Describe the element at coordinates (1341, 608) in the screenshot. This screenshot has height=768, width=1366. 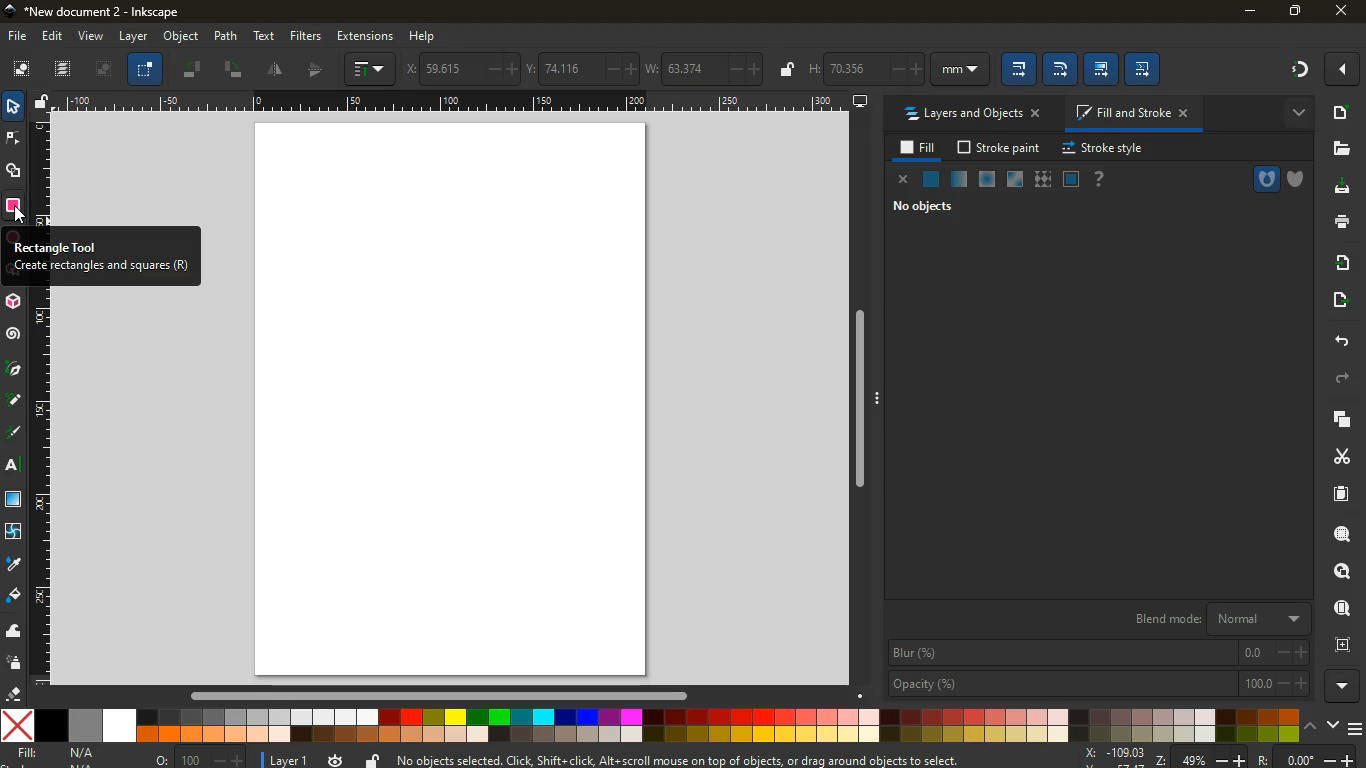
I see `find` at that location.